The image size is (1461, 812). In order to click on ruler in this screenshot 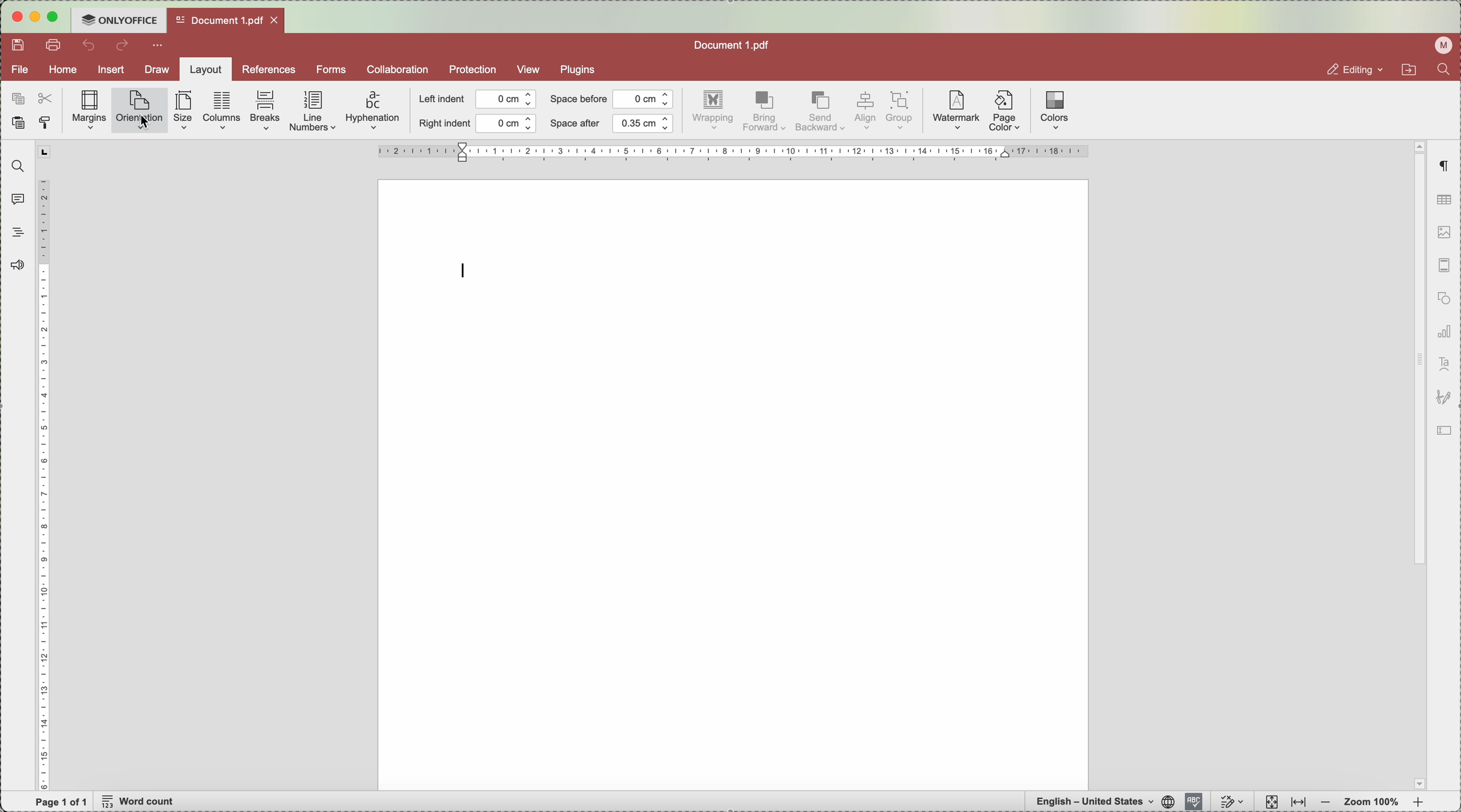, I will do `click(732, 151)`.